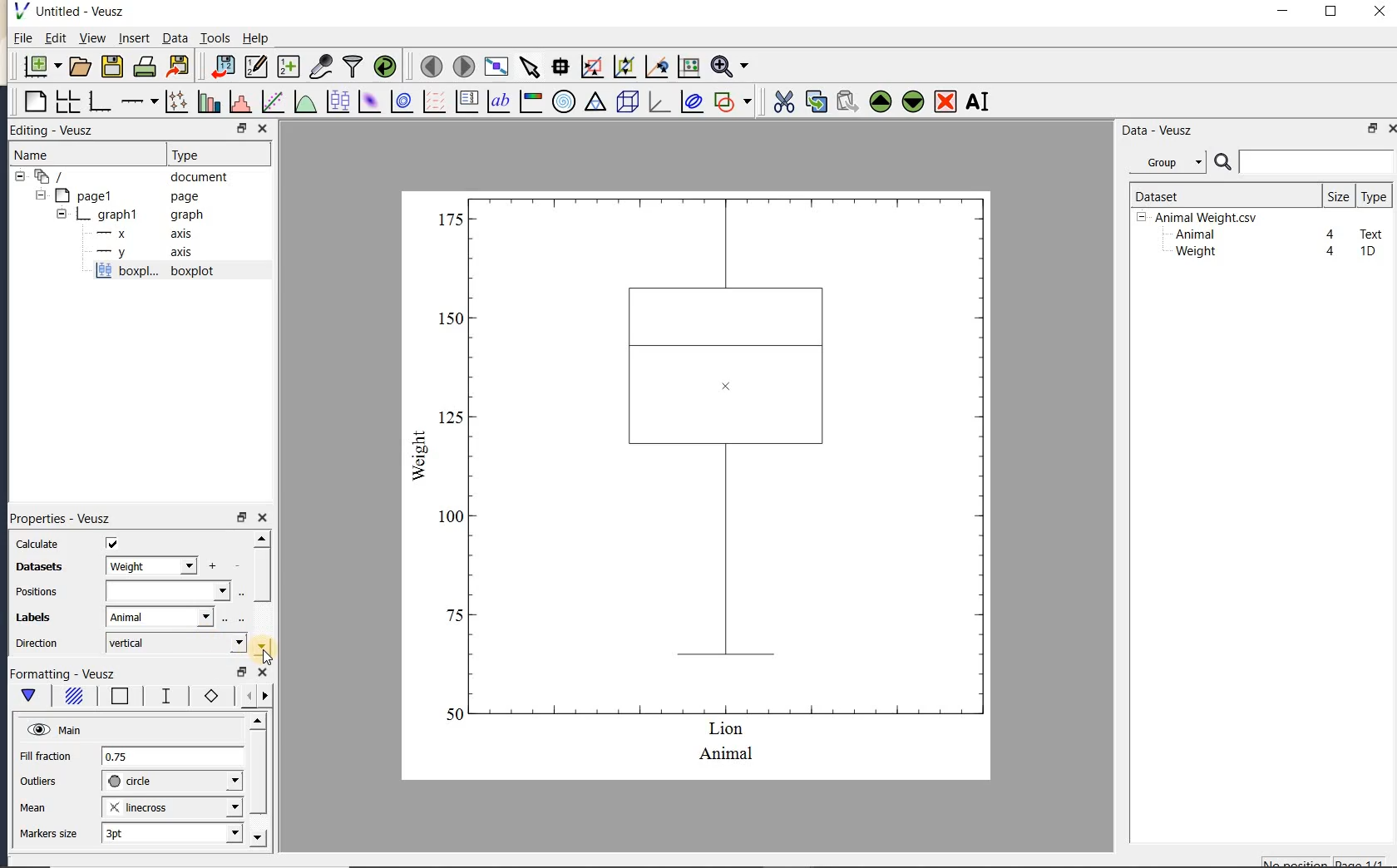  What do you see at coordinates (54, 728) in the screenshot?
I see `Main` at bounding box center [54, 728].